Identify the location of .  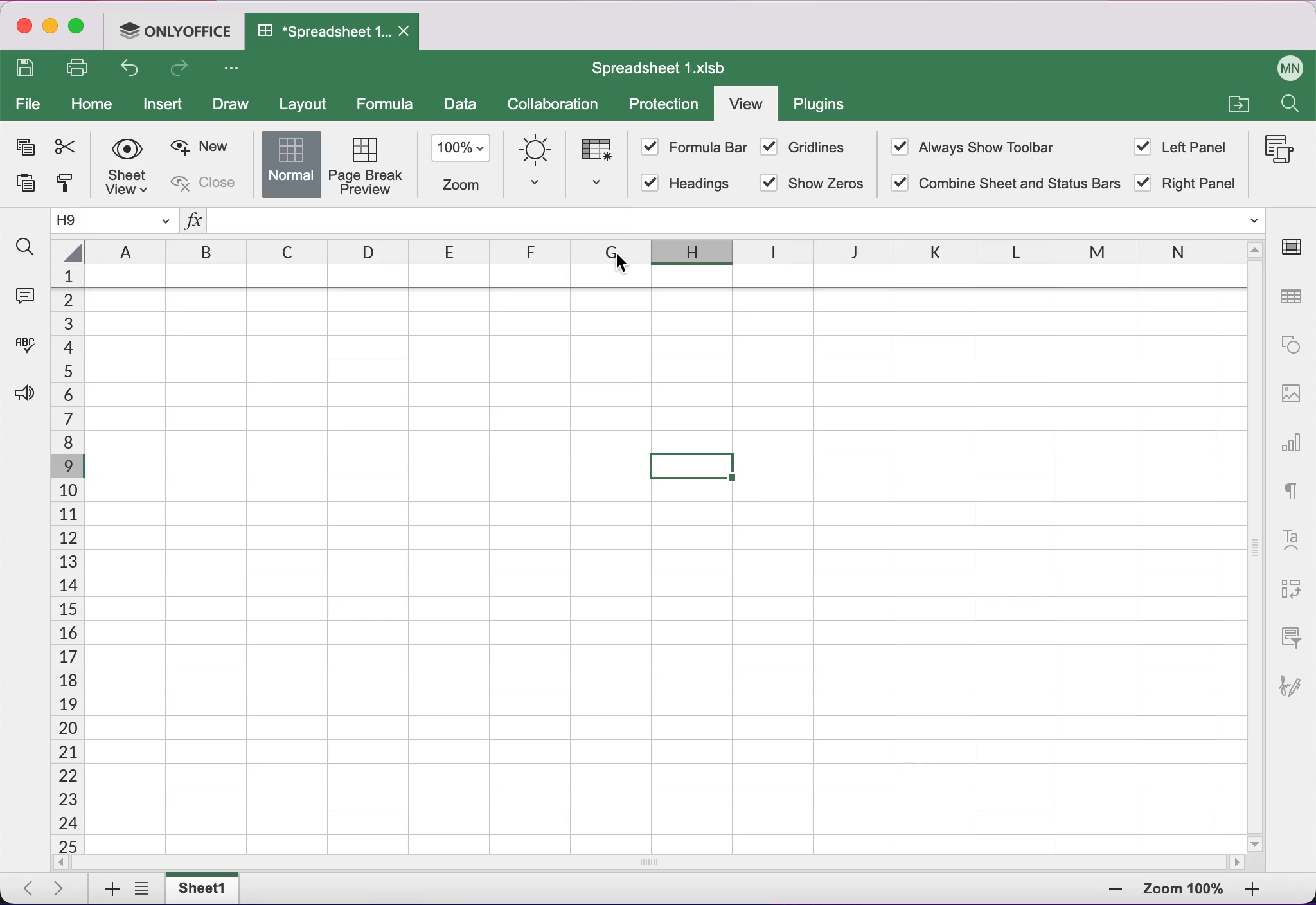
(1283, 240).